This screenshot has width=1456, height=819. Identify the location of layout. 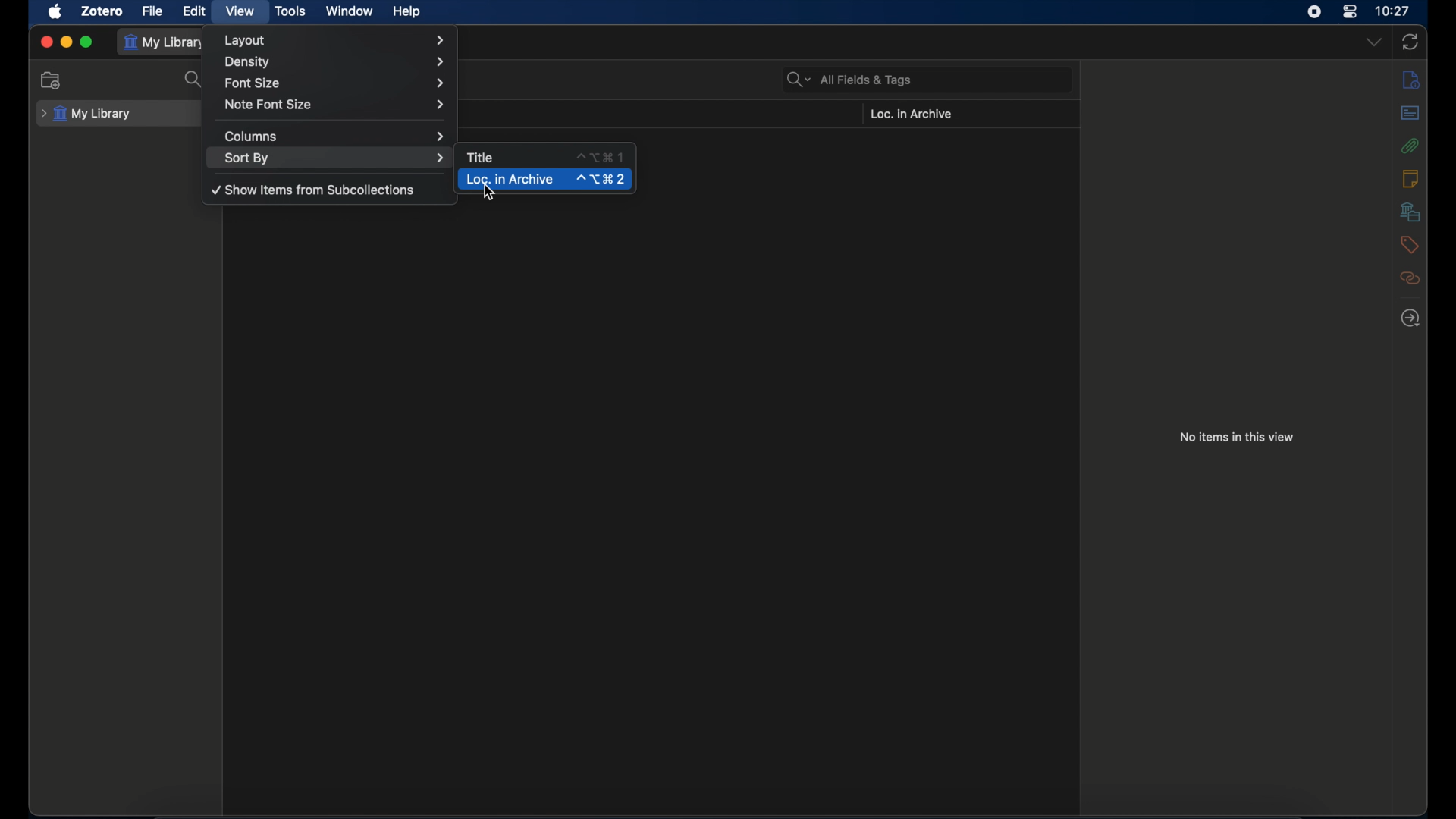
(335, 40).